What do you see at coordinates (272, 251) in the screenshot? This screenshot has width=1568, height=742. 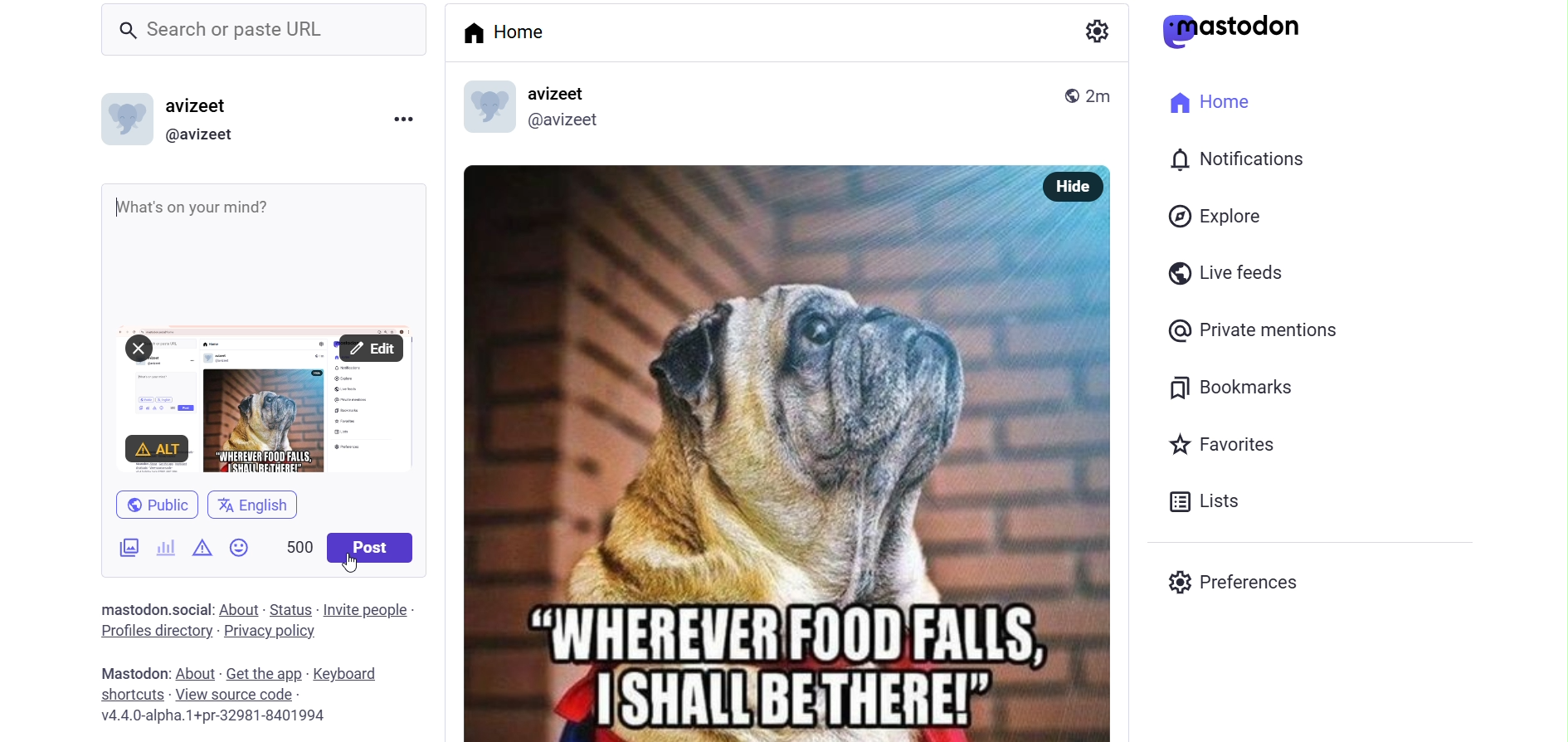 I see `whats on your mind` at bounding box center [272, 251].